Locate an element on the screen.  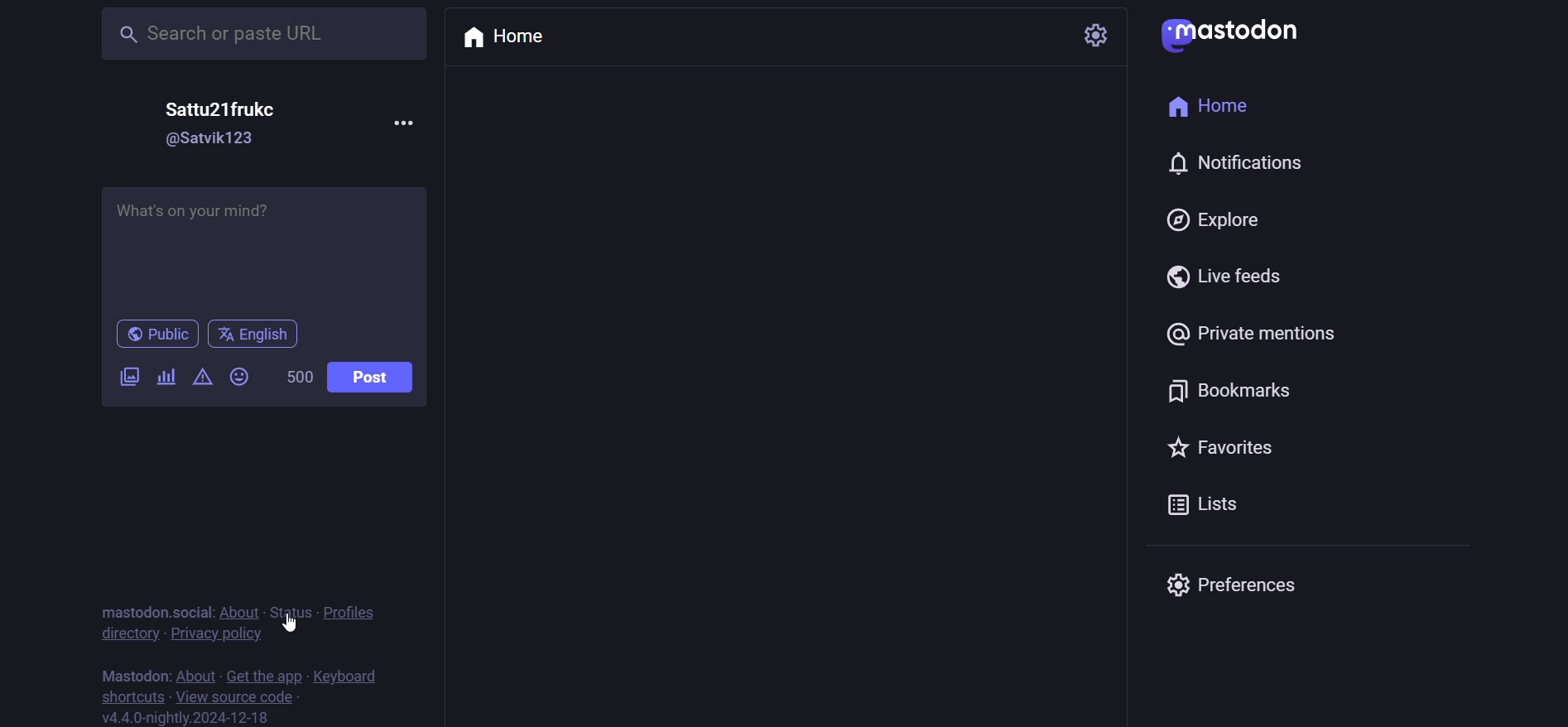
get the app is located at coordinates (265, 676).